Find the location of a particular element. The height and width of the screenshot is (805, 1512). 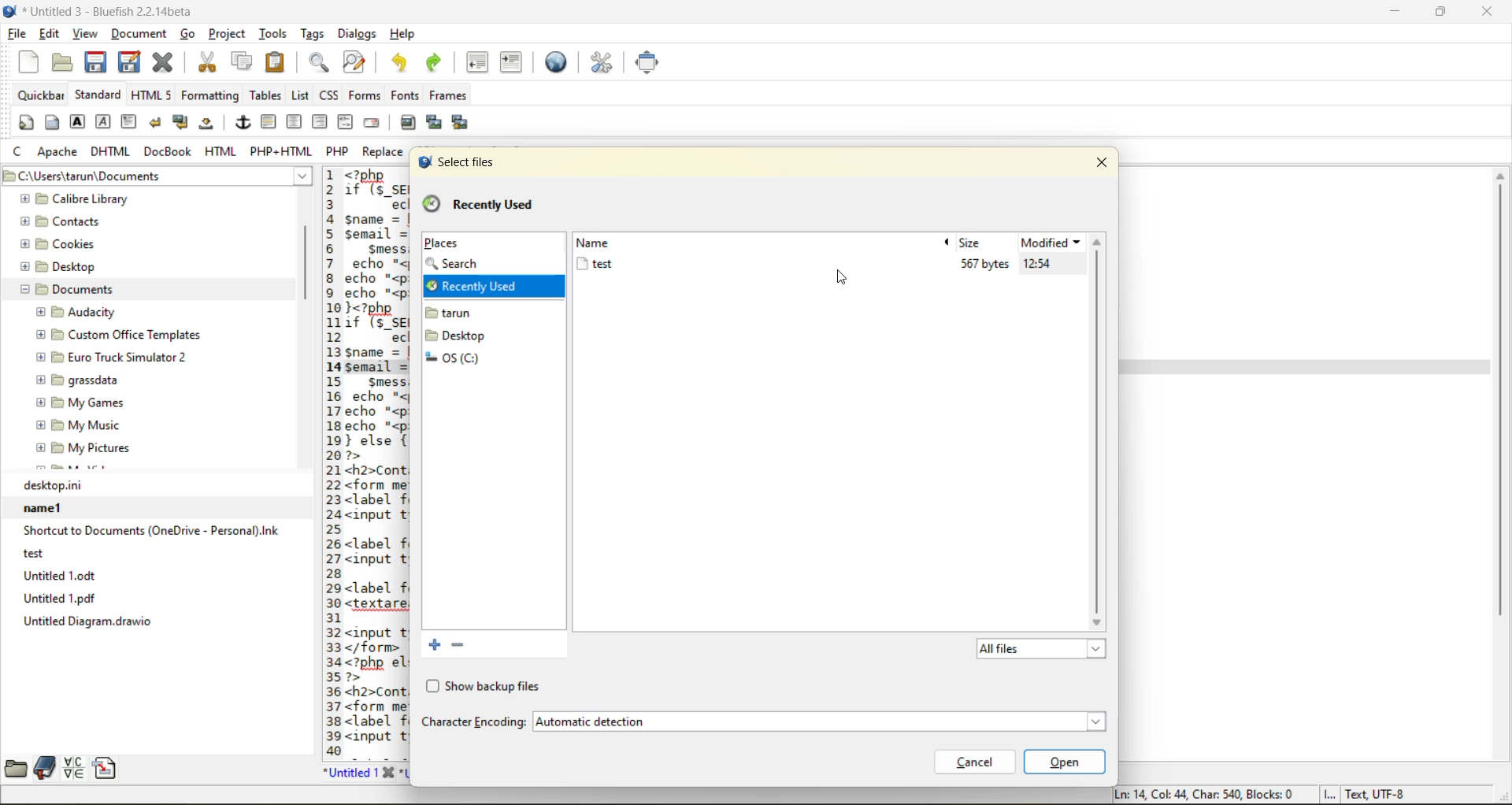

add current folder to bookmark is located at coordinates (432, 644).